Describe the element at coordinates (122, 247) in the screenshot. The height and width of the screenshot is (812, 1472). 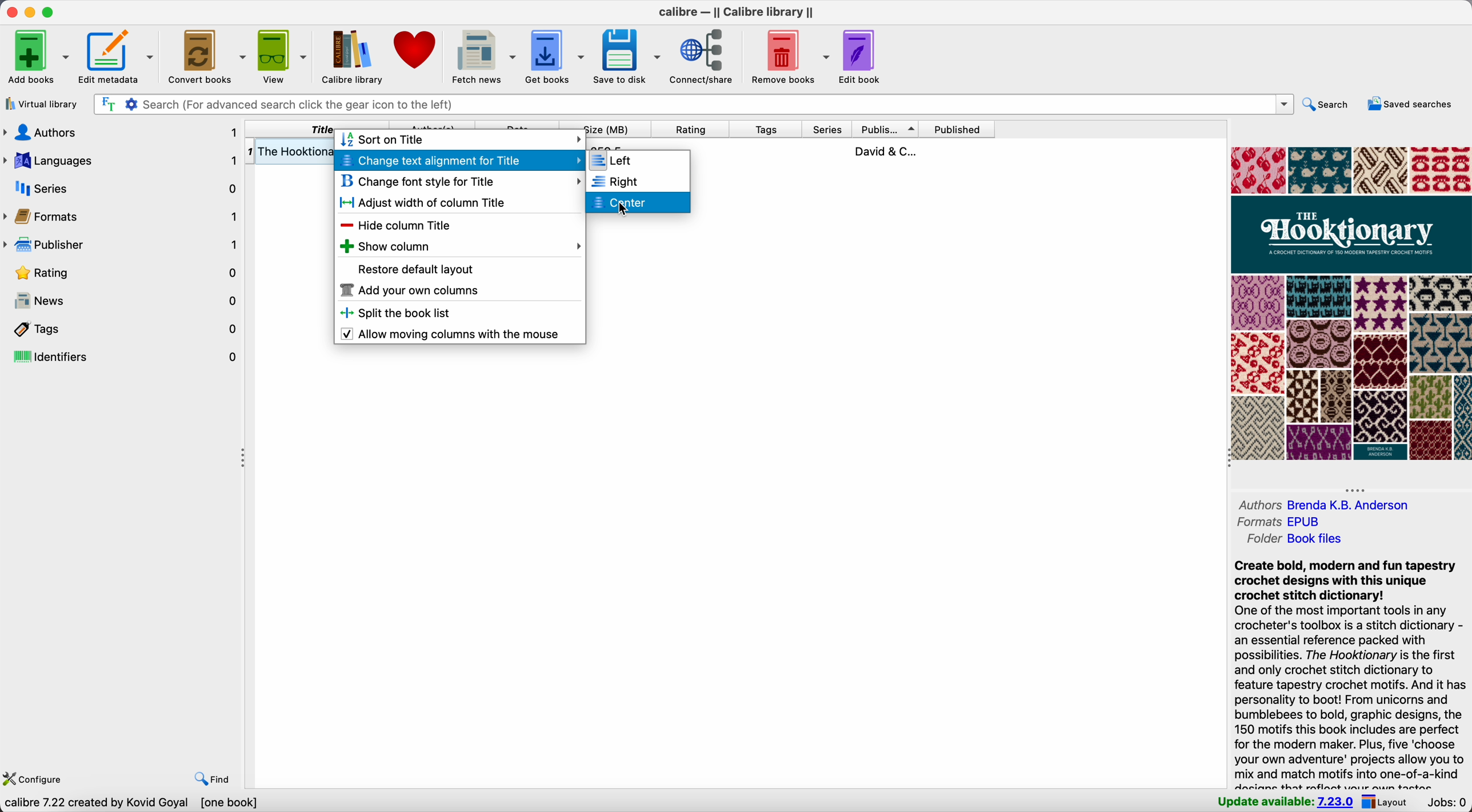
I see `publisher` at that location.